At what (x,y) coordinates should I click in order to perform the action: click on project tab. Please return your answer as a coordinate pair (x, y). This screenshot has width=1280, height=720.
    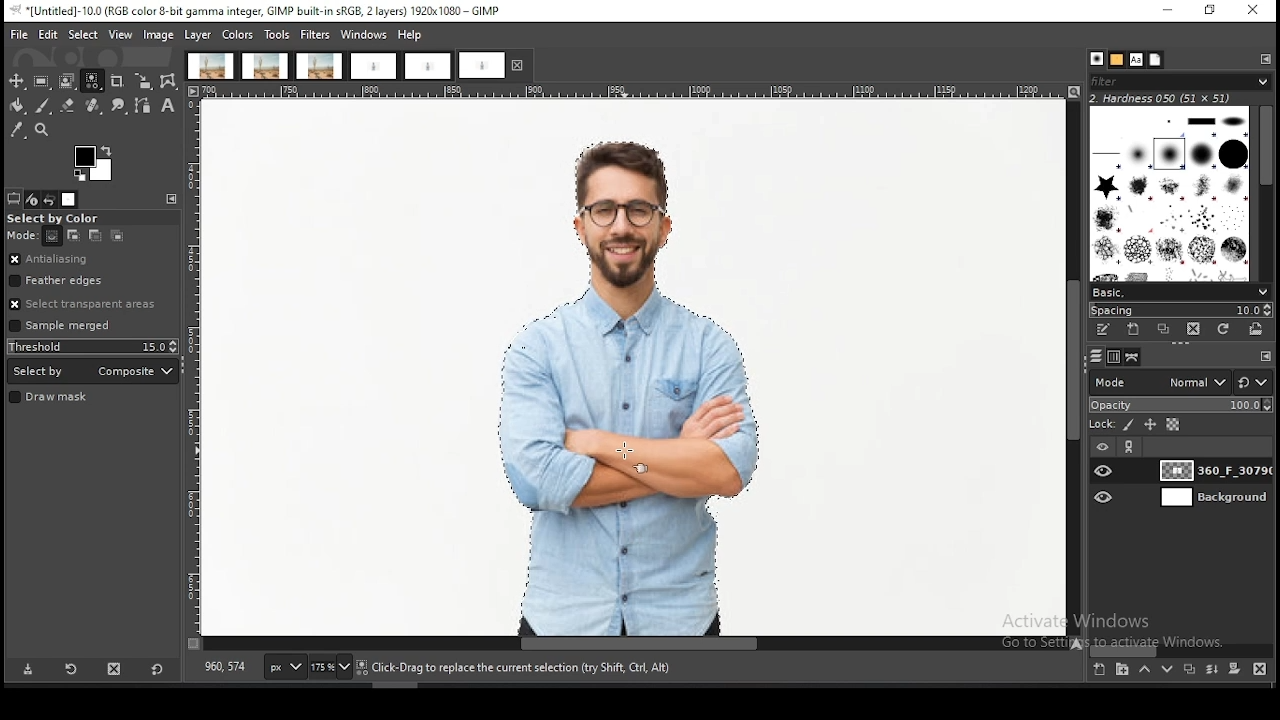
    Looking at the image, I should click on (428, 67).